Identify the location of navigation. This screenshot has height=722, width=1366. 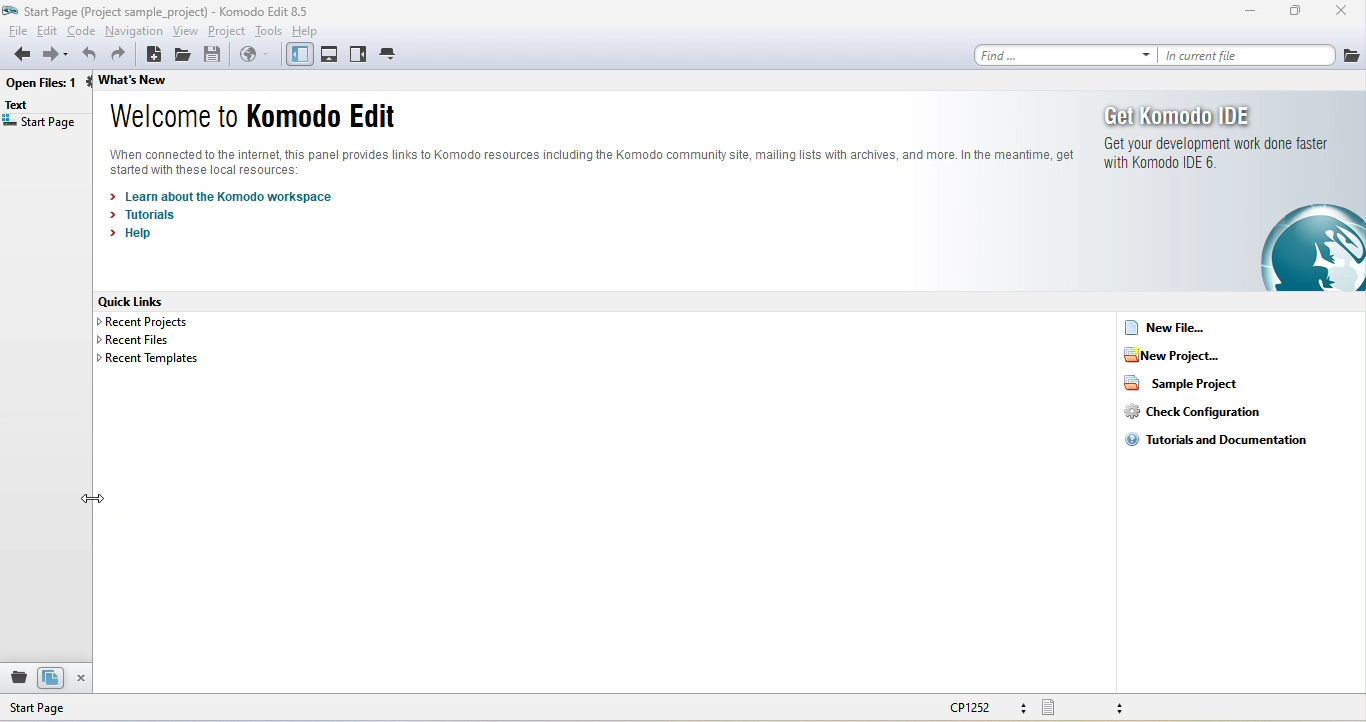
(134, 30).